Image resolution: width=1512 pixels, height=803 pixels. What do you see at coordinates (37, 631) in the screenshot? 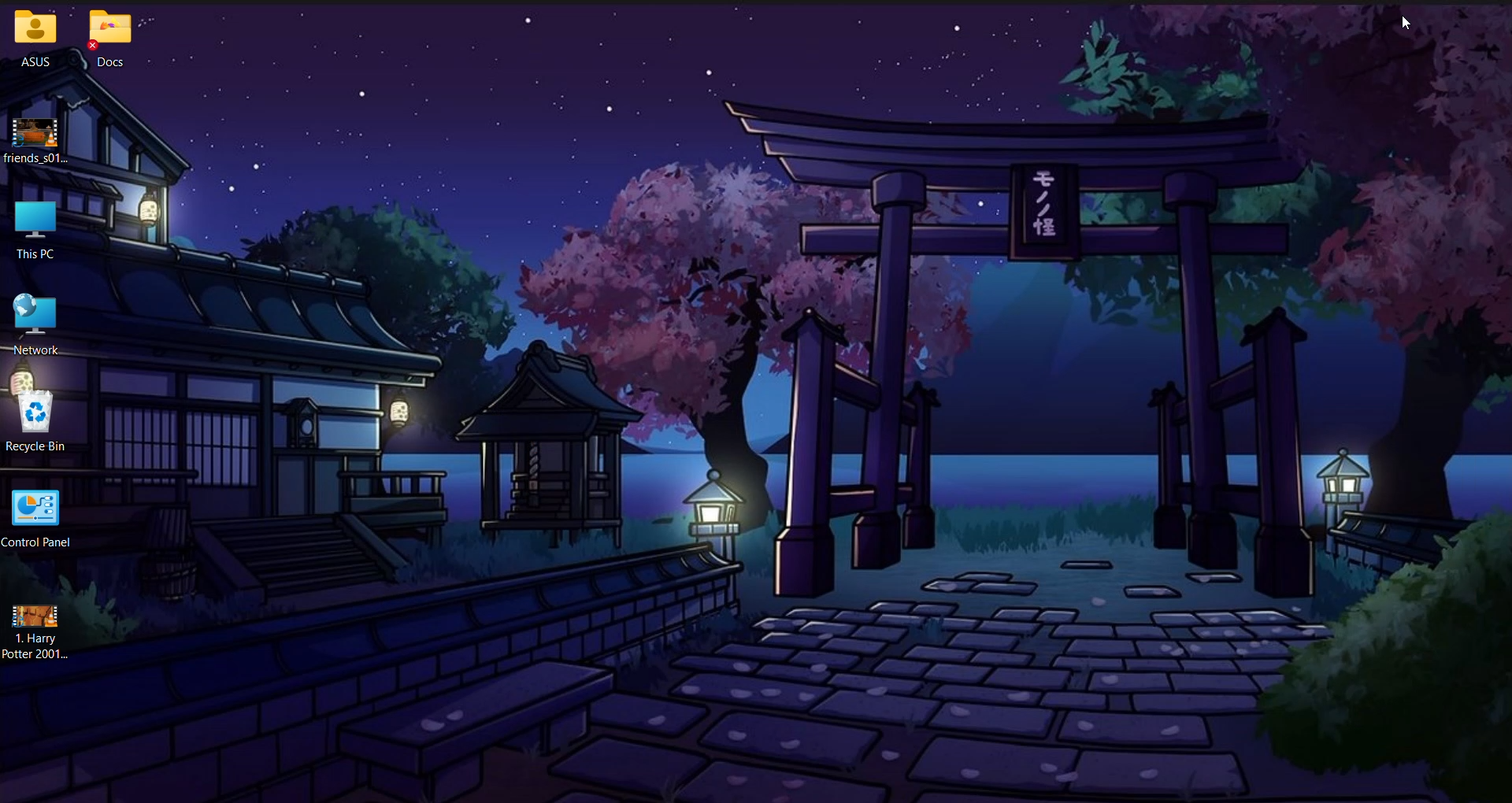
I see `Harry Potter film` at bounding box center [37, 631].